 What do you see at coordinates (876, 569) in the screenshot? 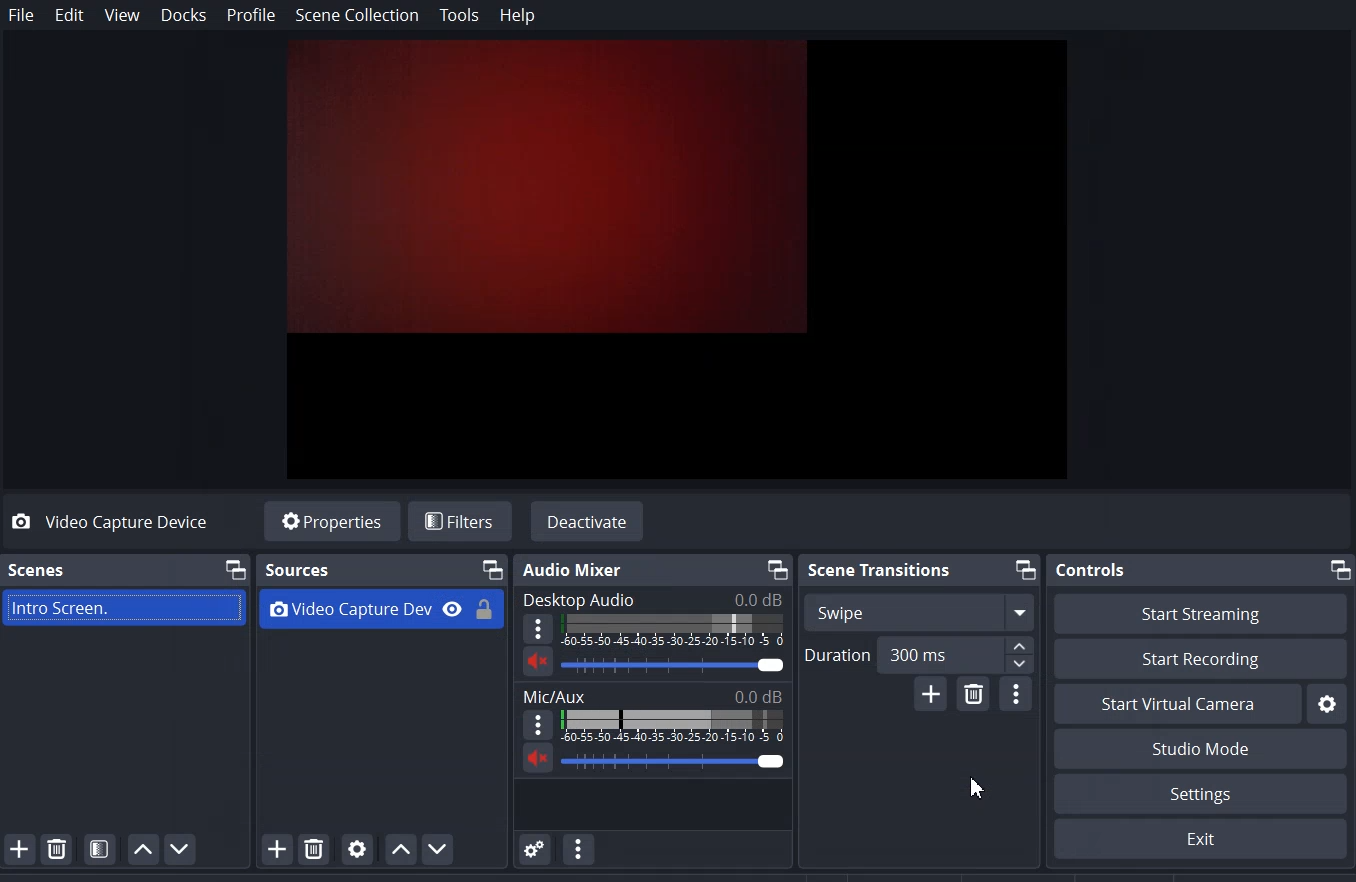
I see `Scene Transitions` at bounding box center [876, 569].